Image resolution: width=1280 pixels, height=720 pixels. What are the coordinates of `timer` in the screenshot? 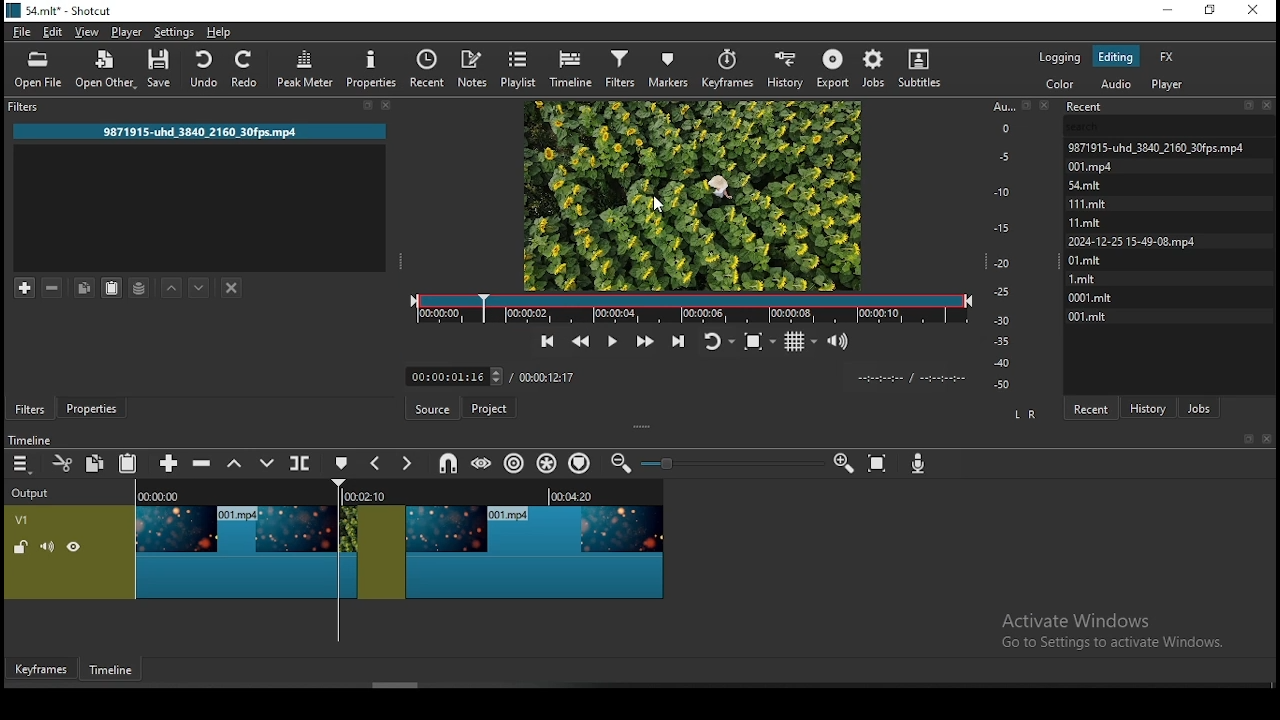 It's located at (907, 377).